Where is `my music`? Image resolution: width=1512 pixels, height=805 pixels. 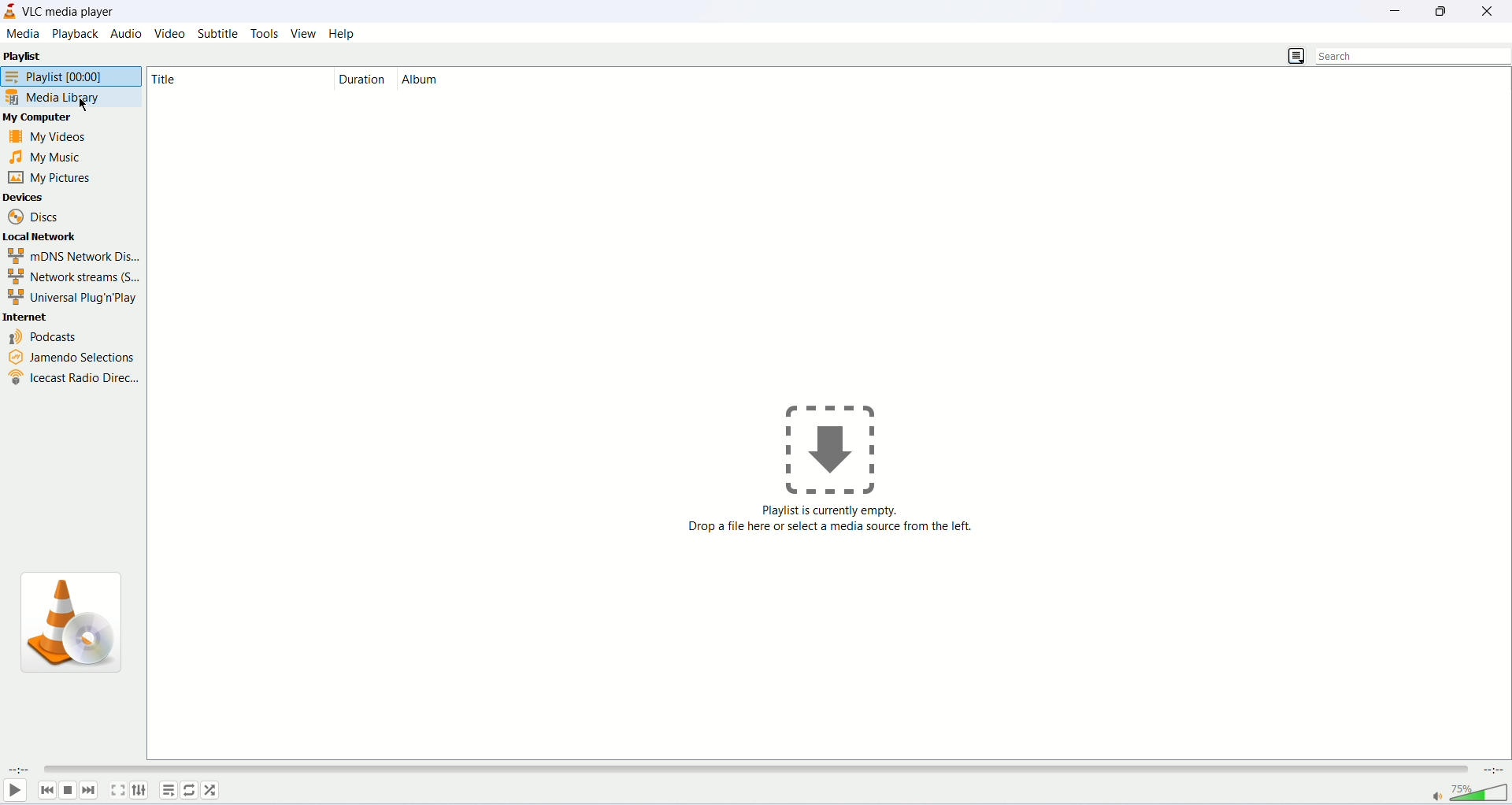 my music is located at coordinates (49, 158).